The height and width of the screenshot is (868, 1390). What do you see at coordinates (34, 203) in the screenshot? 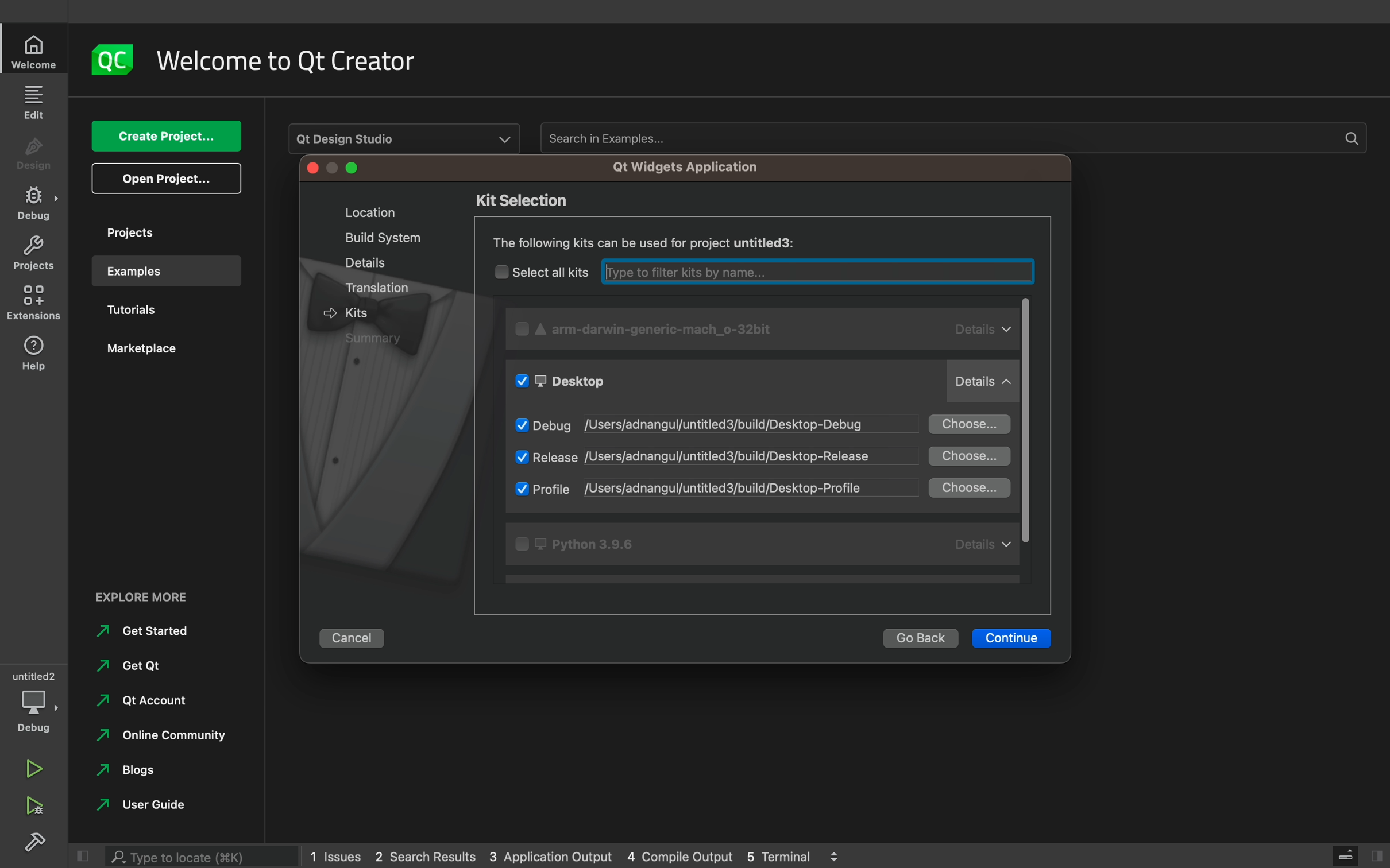
I see `` at bounding box center [34, 203].